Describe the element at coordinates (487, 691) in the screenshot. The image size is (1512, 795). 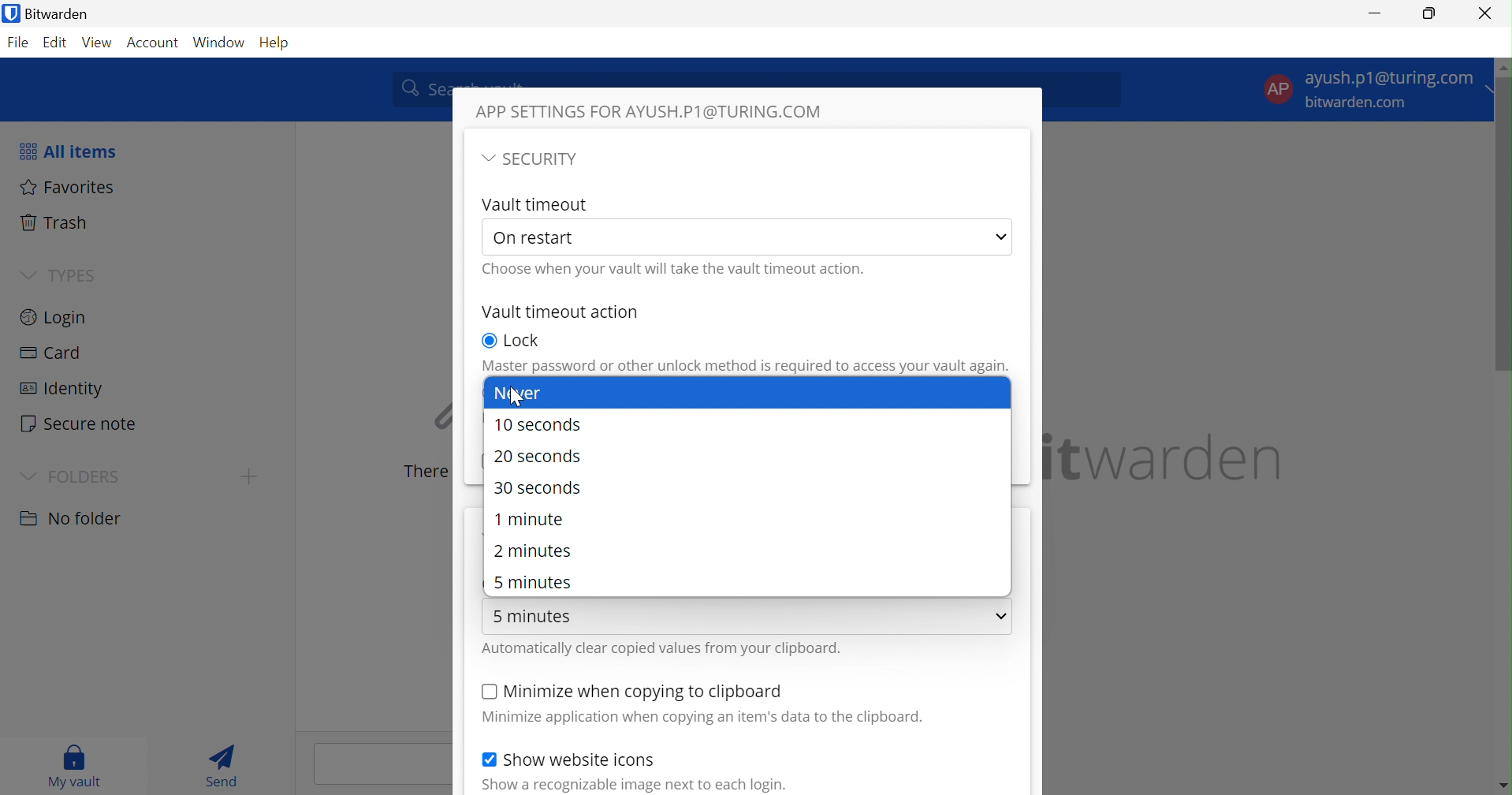
I see `Checkbox` at that location.